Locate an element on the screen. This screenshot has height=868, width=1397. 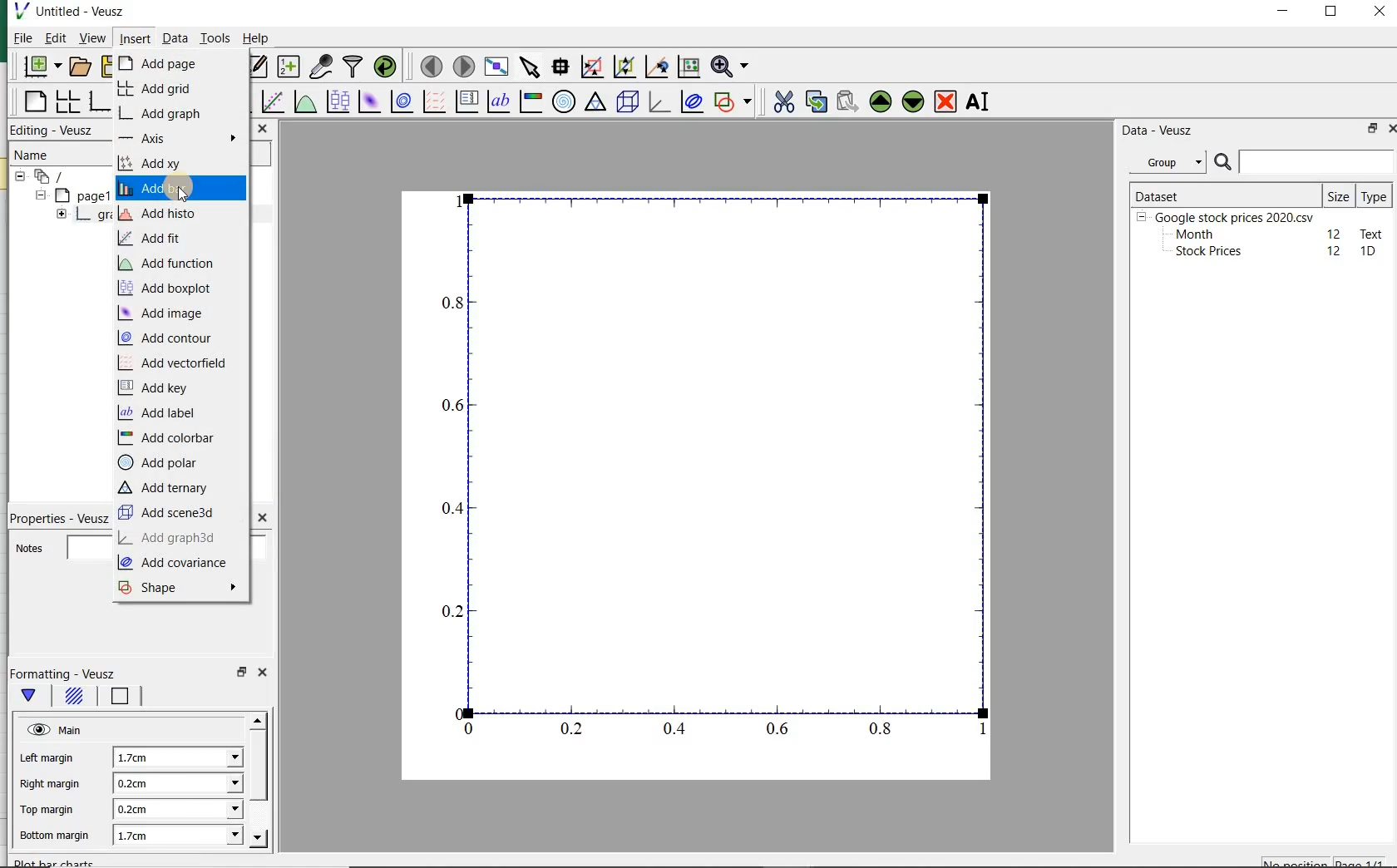
add colorbar is located at coordinates (170, 436).